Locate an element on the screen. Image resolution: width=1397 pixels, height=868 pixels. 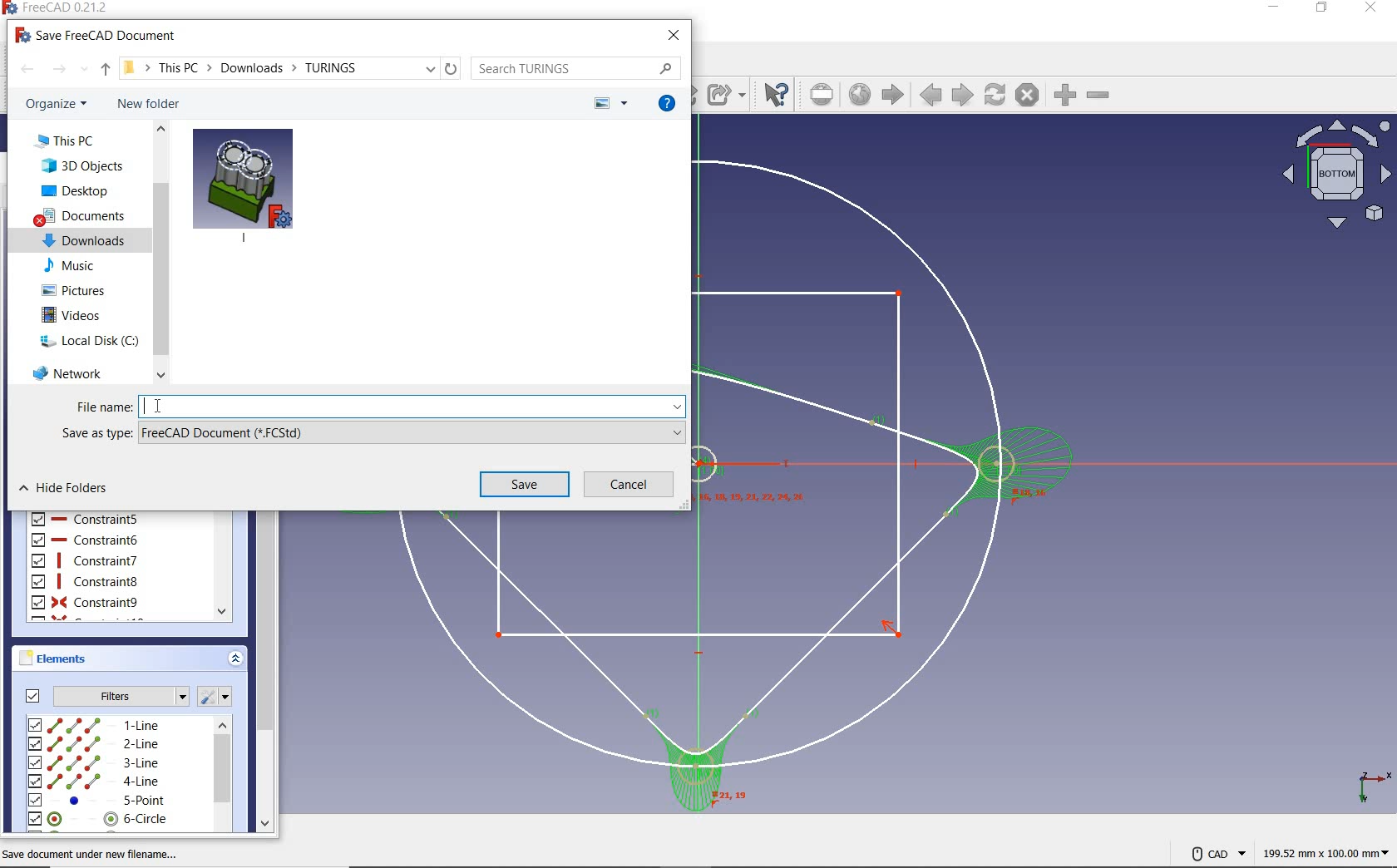
recent locations is located at coordinates (84, 69).